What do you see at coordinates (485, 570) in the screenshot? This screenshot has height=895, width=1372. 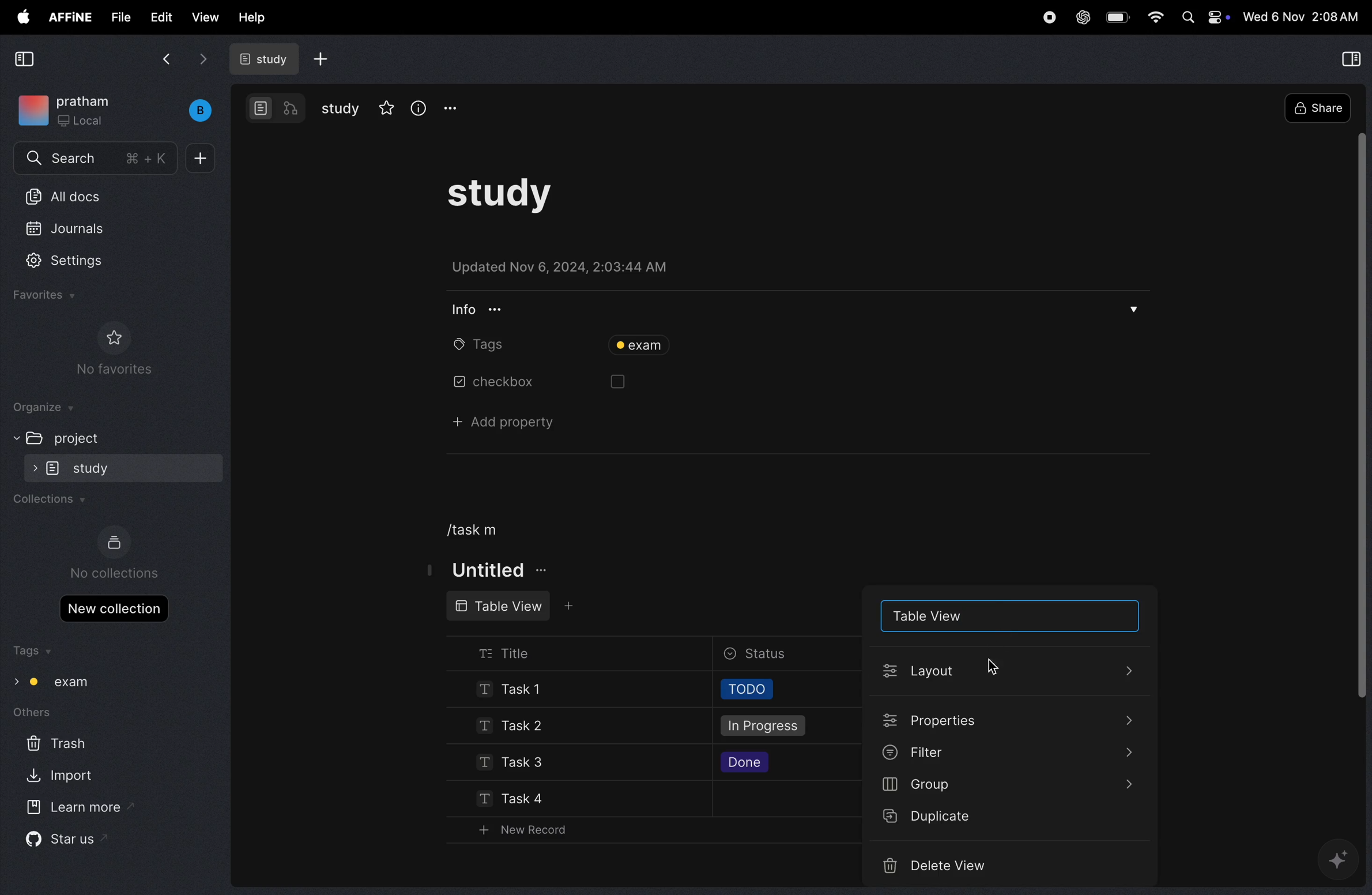 I see `titke` at bounding box center [485, 570].